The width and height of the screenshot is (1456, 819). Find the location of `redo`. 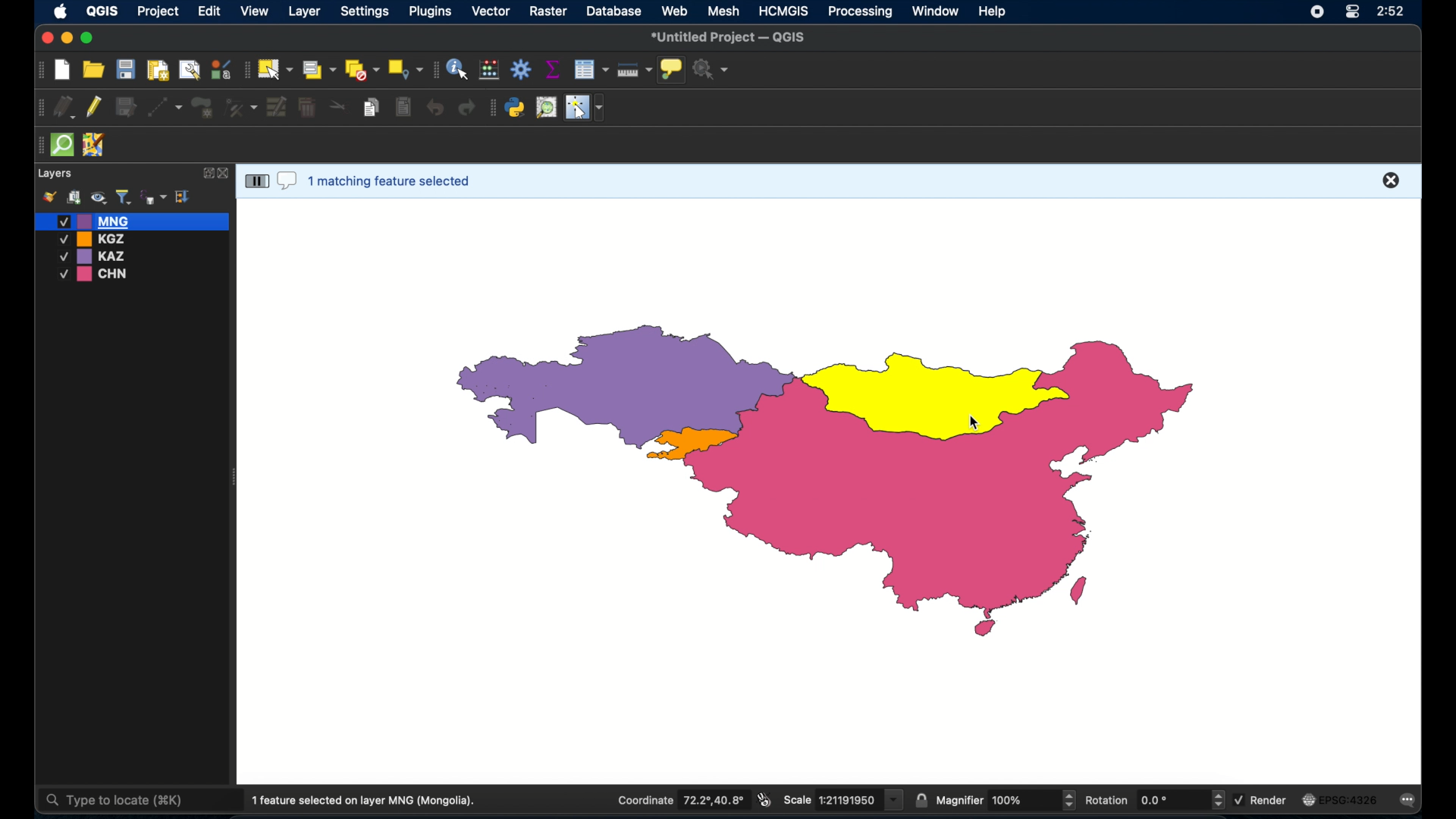

redo is located at coordinates (469, 108).